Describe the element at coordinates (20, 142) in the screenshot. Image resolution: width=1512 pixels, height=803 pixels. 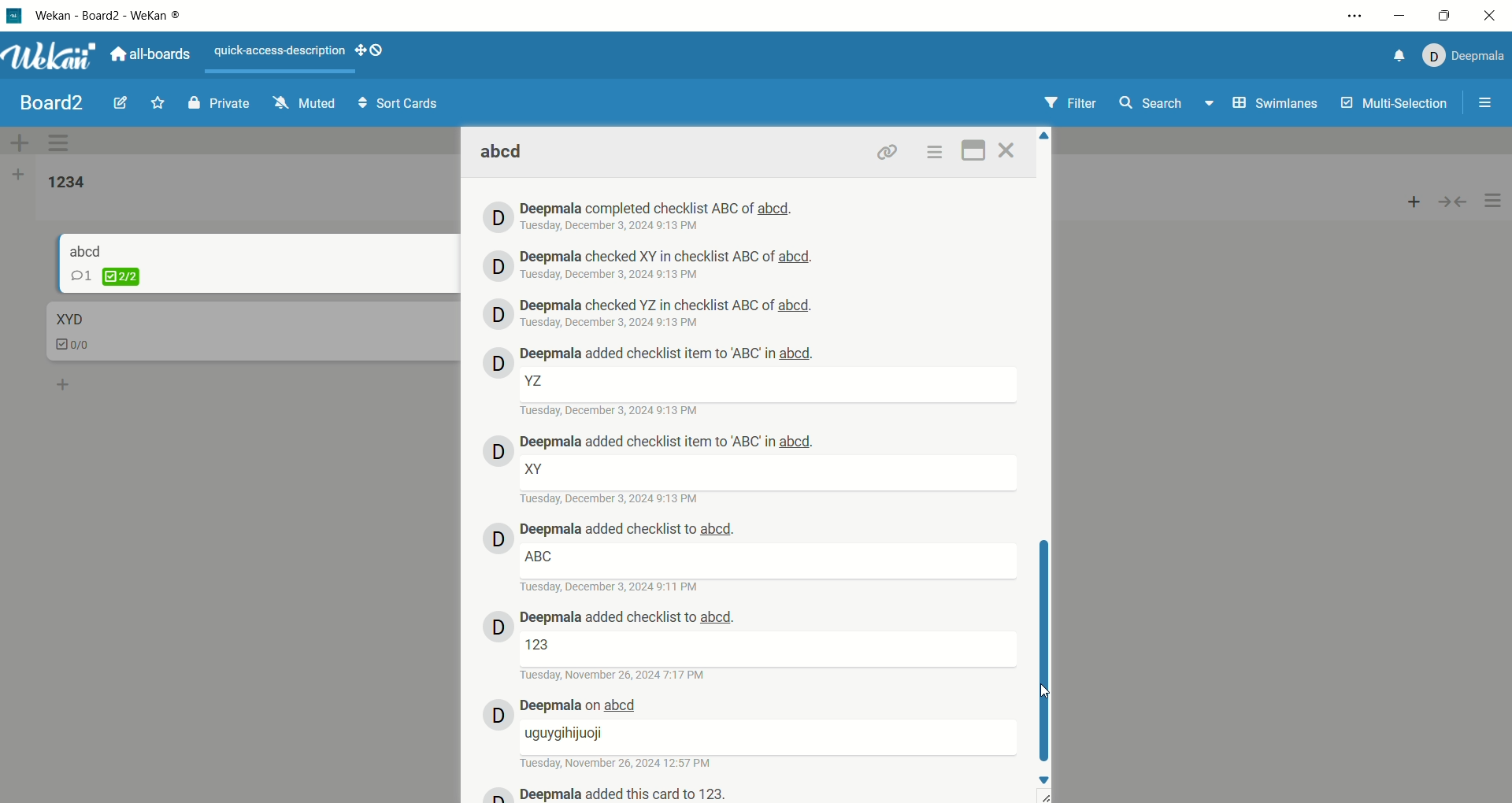
I see `add swimlane` at that location.